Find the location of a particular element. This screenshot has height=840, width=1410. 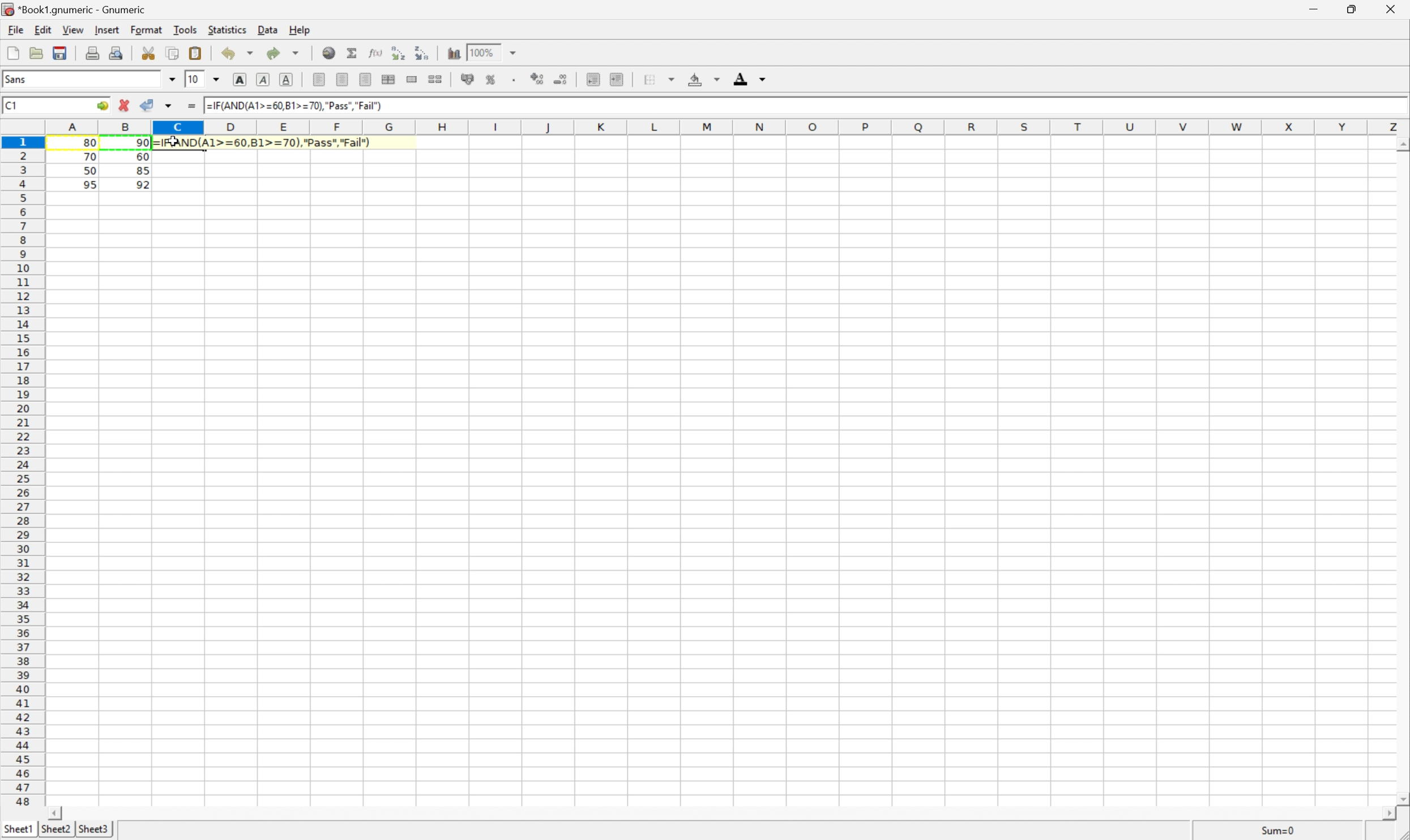

Save the document is located at coordinates (36, 53).